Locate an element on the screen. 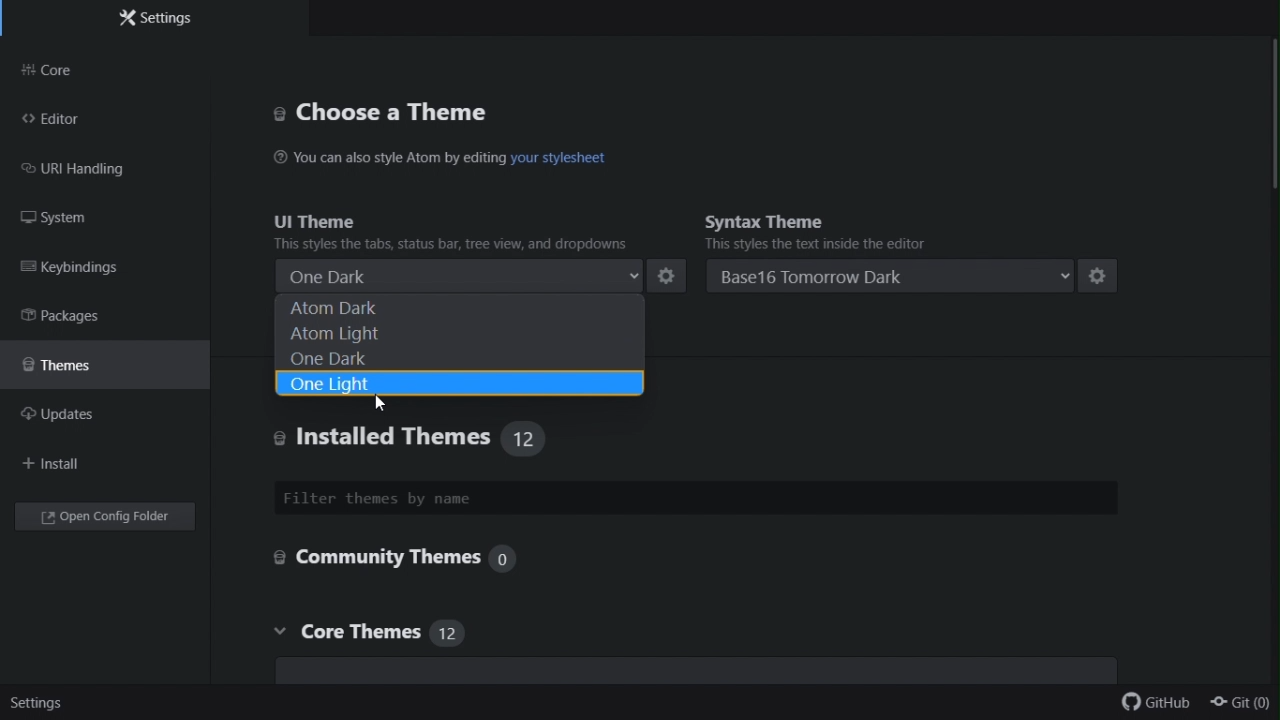 This screenshot has height=720, width=1280. URL handling is located at coordinates (94, 171).